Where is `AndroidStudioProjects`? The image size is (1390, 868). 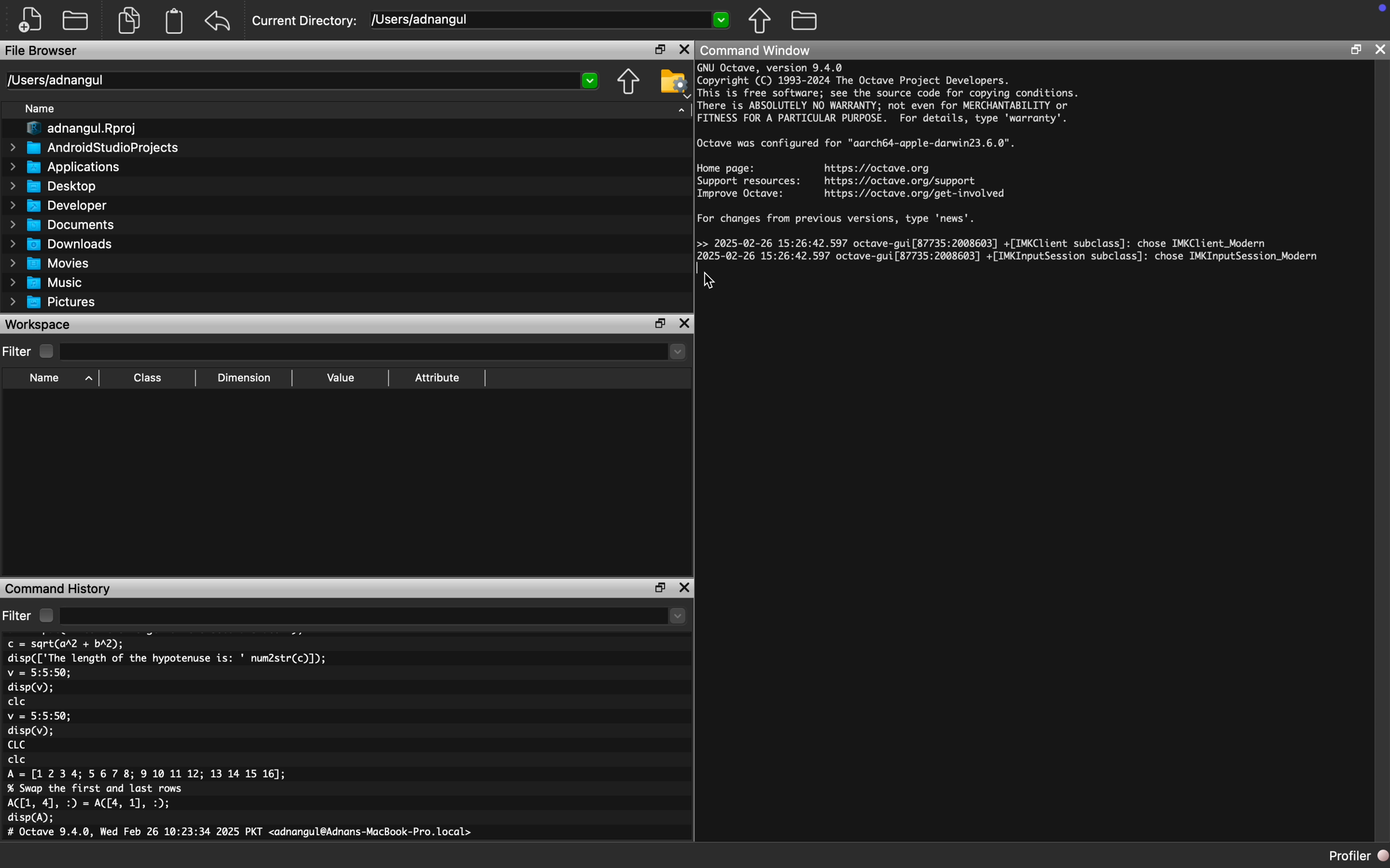 AndroidStudioProjects is located at coordinates (94, 149).